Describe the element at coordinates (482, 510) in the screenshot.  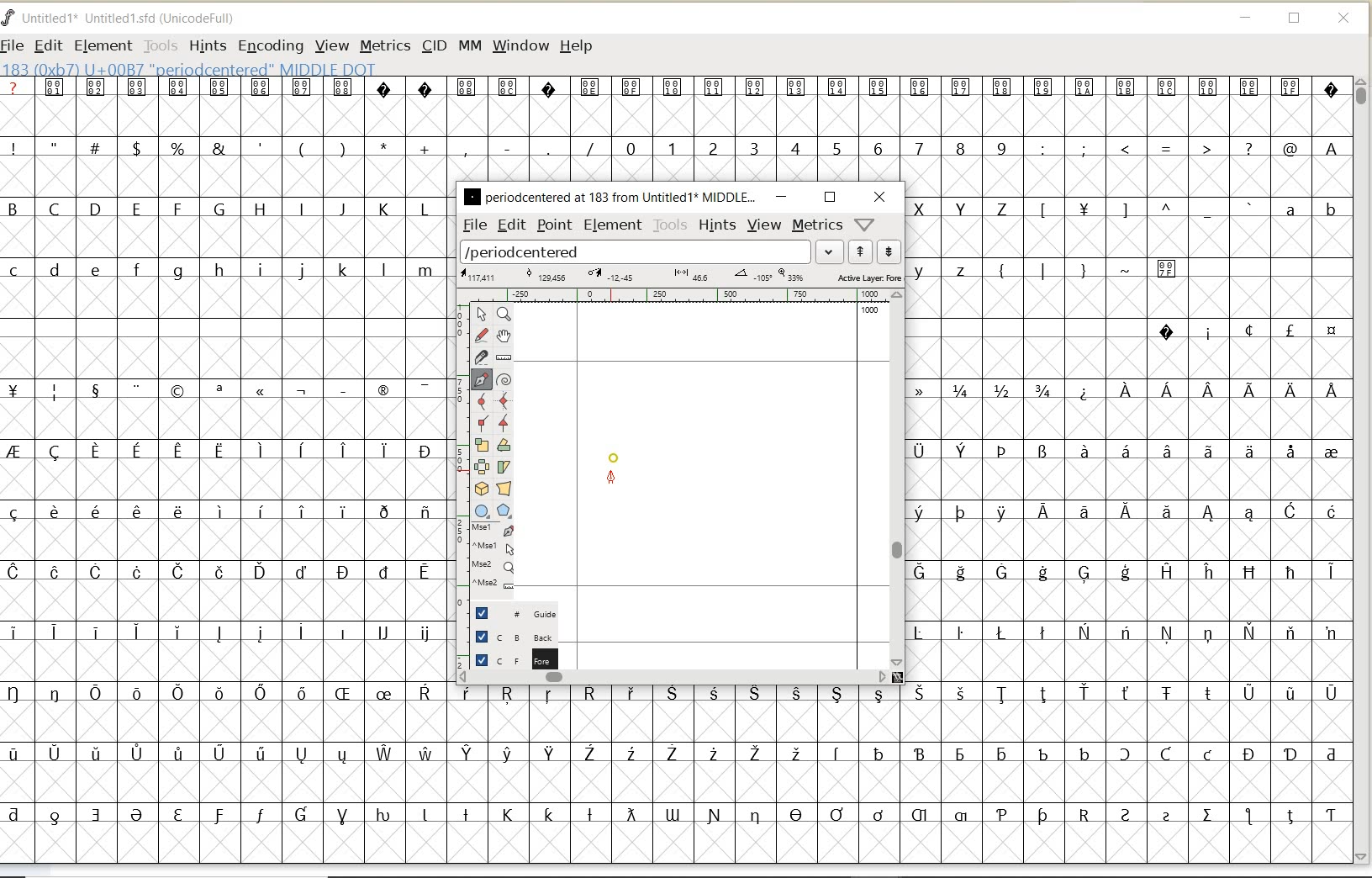
I see `rectangle or ellipse` at that location.